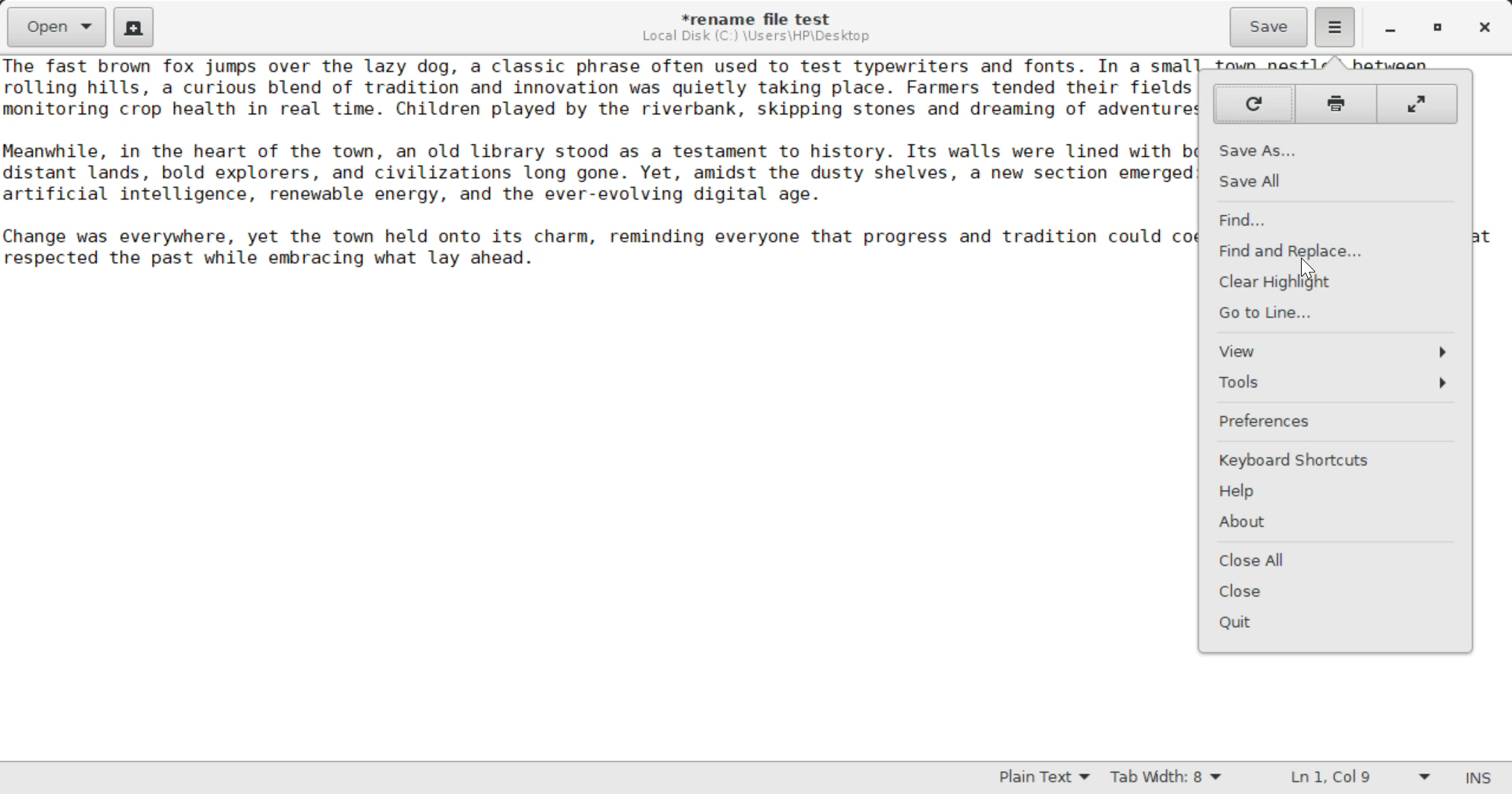 The image size is (1512, 794). I want to click on Close All, so click(1334, 565).